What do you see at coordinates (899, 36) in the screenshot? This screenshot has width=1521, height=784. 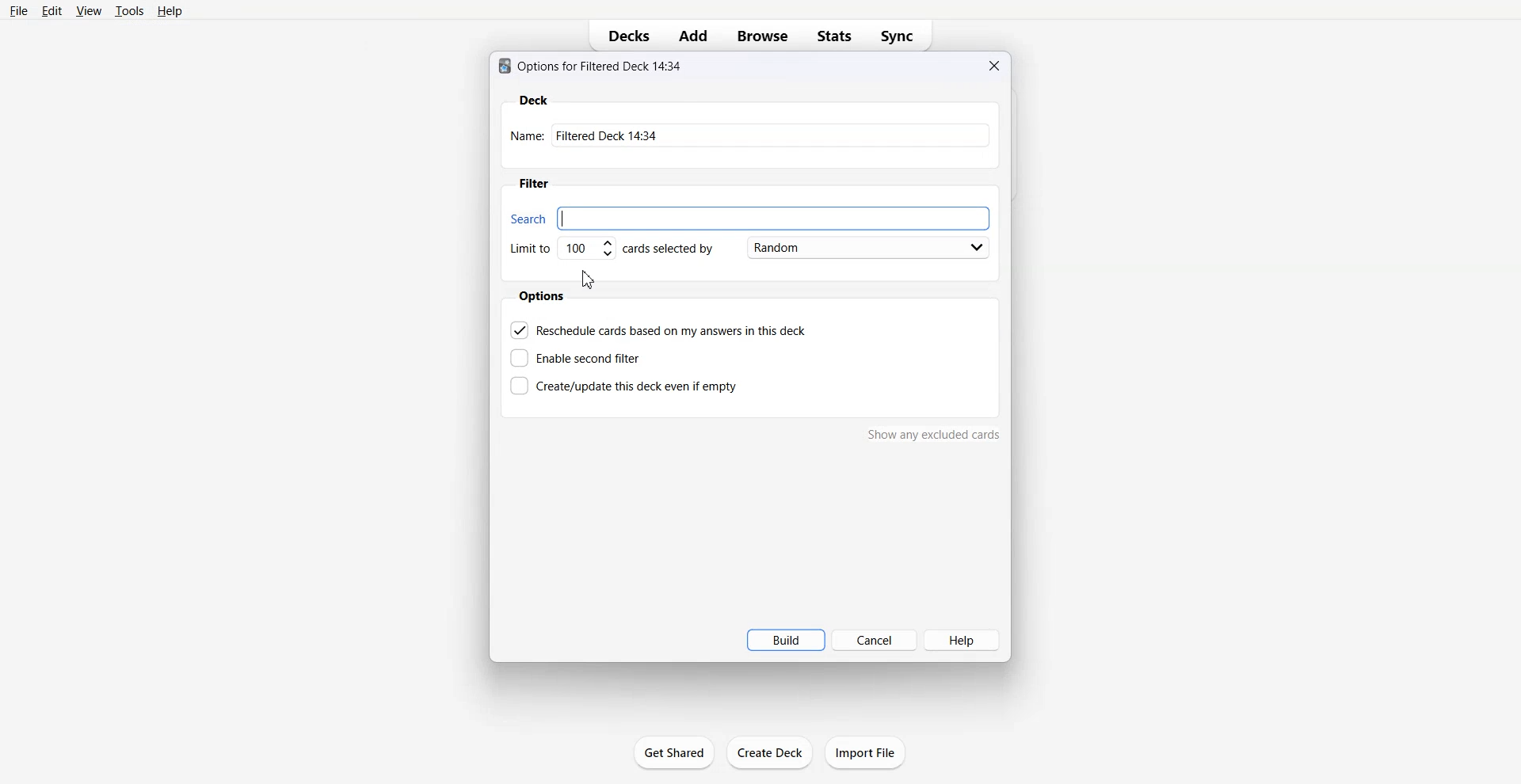 I see `Sync` at bounding box center [899, 36].